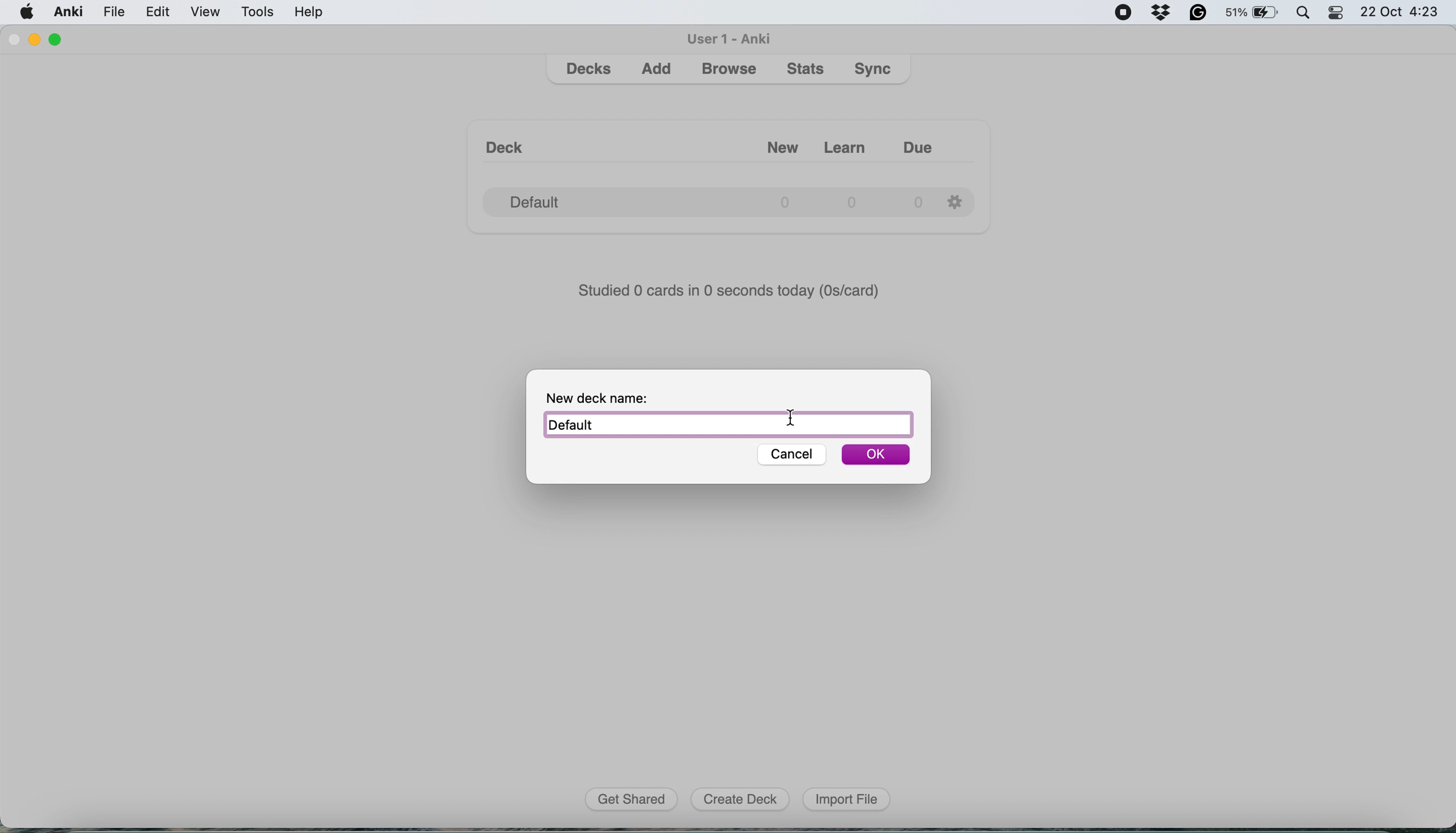 The height and width of the screenshot is (833, 1456). Describe the element at coordinates (636, 800) in the screenshot. I see `get shared` at that location.